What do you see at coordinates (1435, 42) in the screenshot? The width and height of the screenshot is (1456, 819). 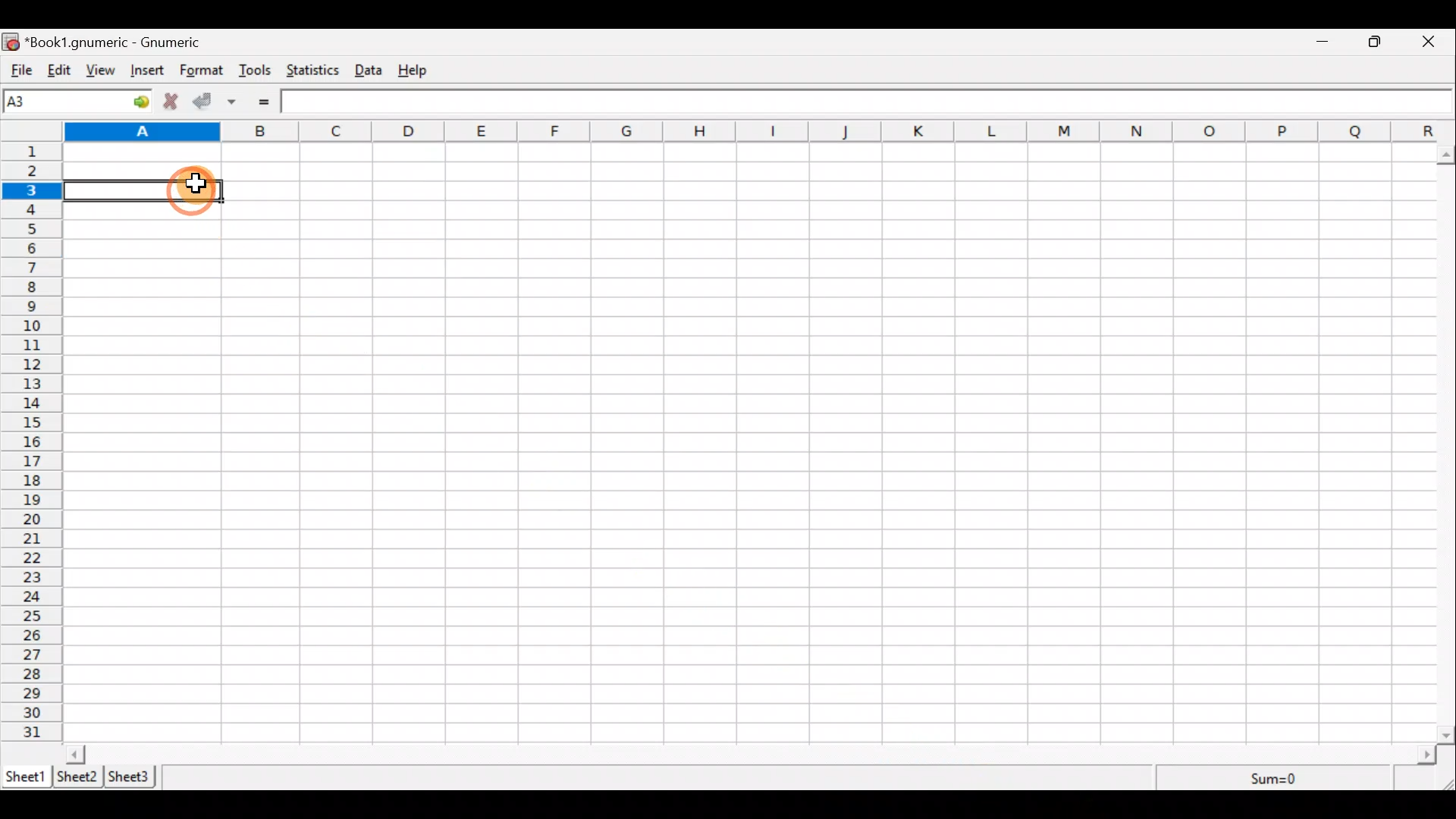 I see `Close` at bounding box center [1435, 42].